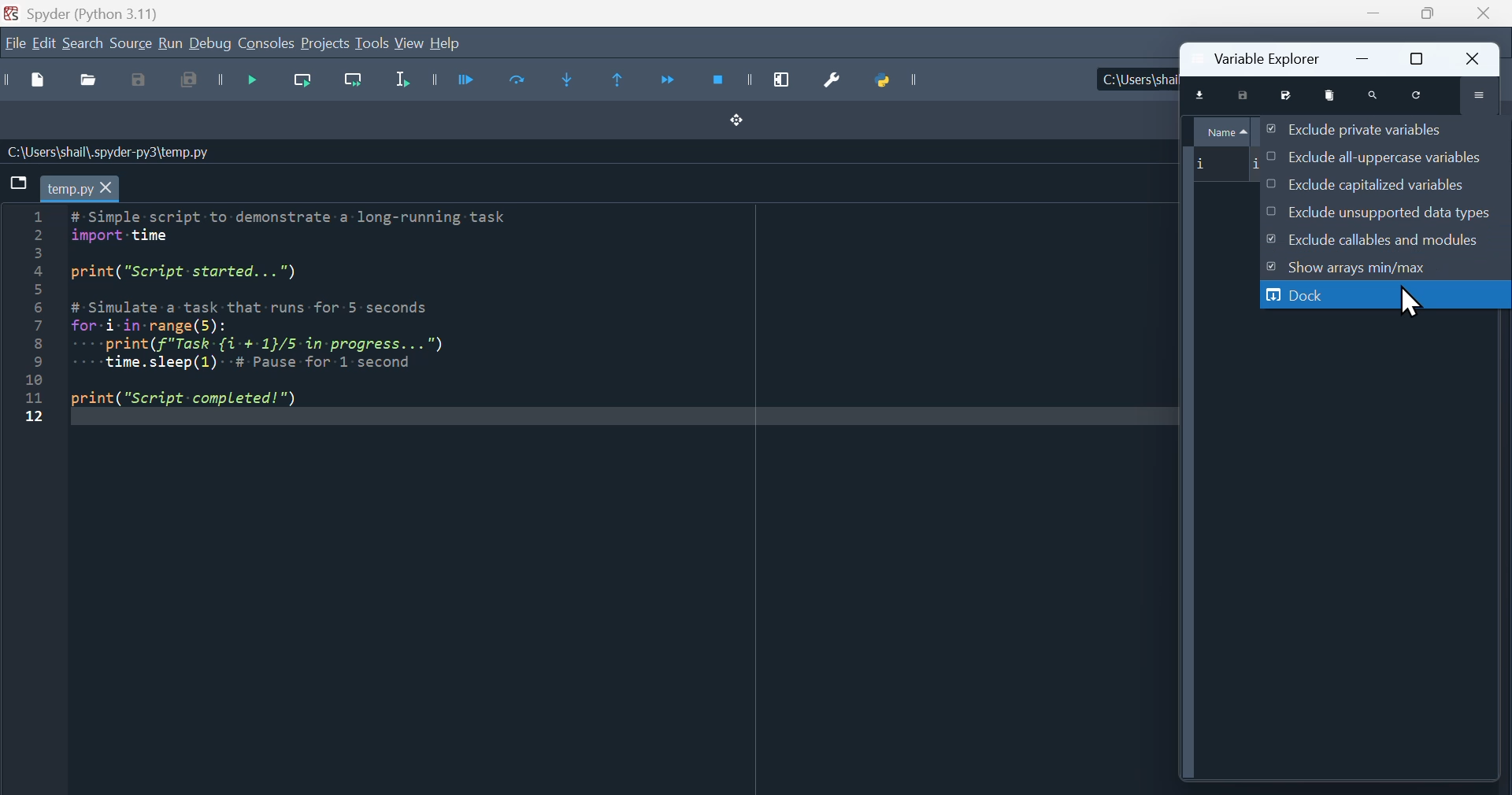 This screenshot has width=1512, height=795. Describe the element at coordinates (1284, 94) in the screenshot. I see `save data as` at that location.